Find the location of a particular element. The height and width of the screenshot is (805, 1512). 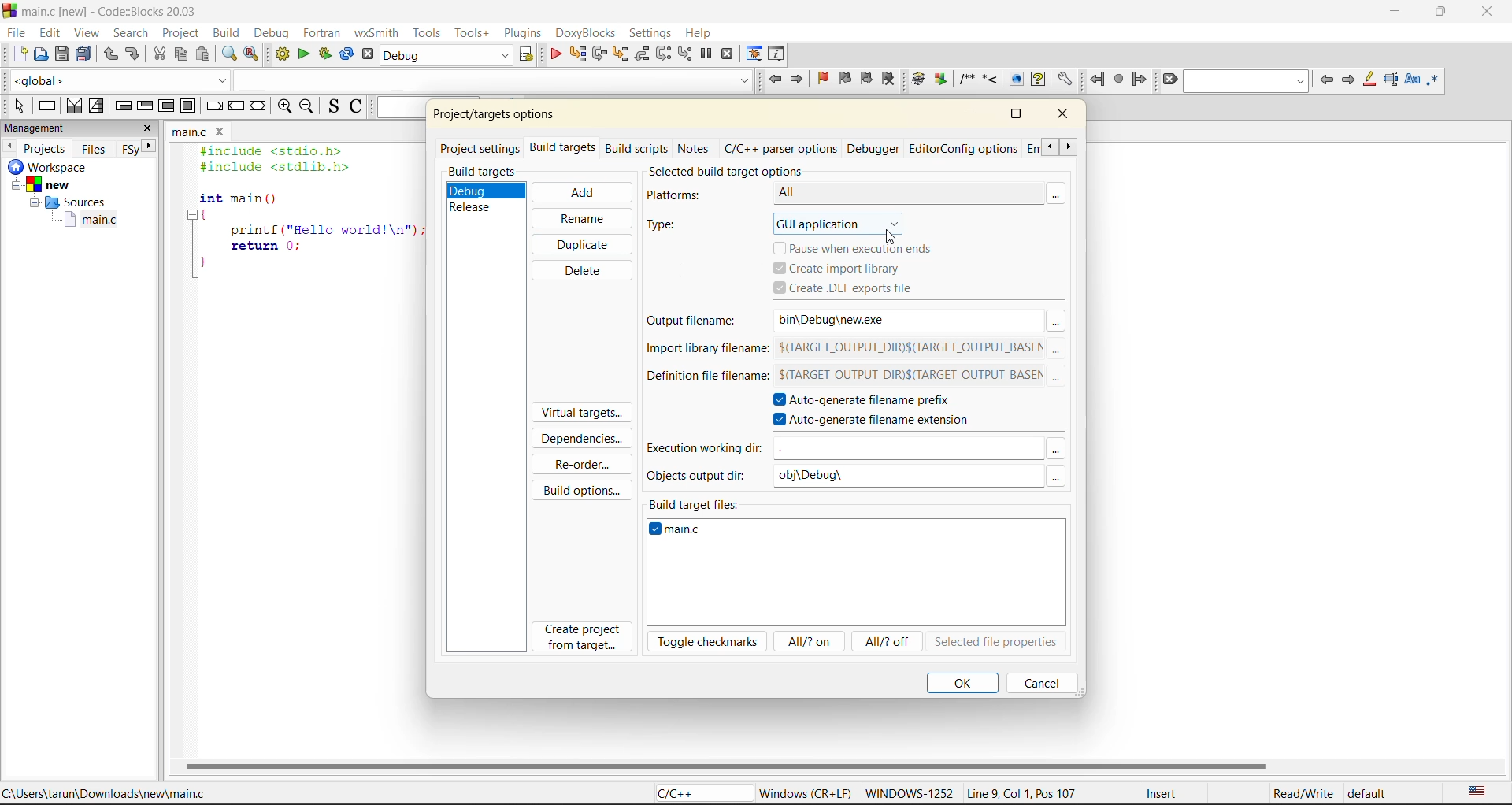

execution working dir is located at coordinates (704, 450).